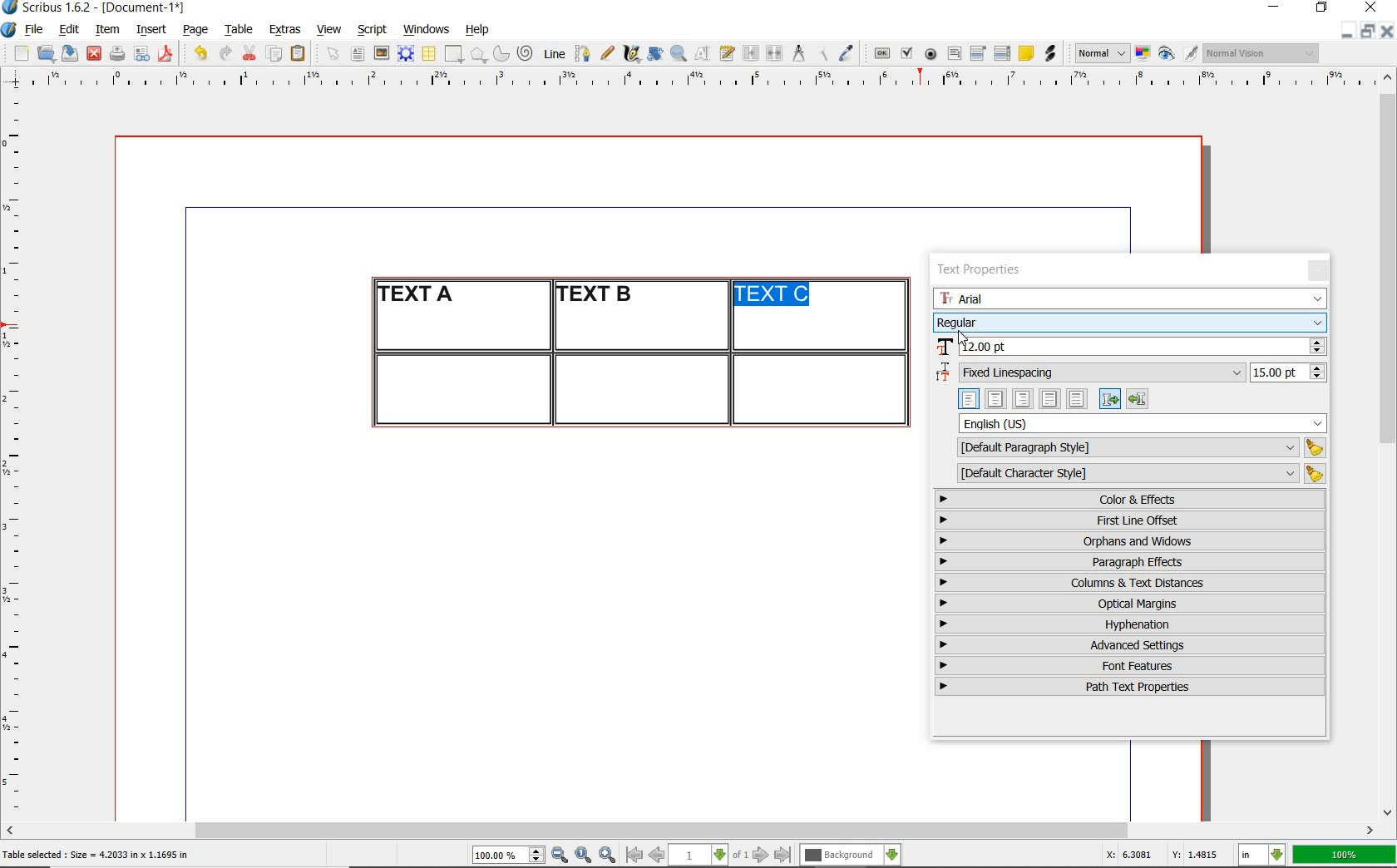 The height and width of the screenshot is (868, 1397). What do you see at coordinates (1345, 855) in the screenshot?
I see `100%` at bounding box center [1345, 855].